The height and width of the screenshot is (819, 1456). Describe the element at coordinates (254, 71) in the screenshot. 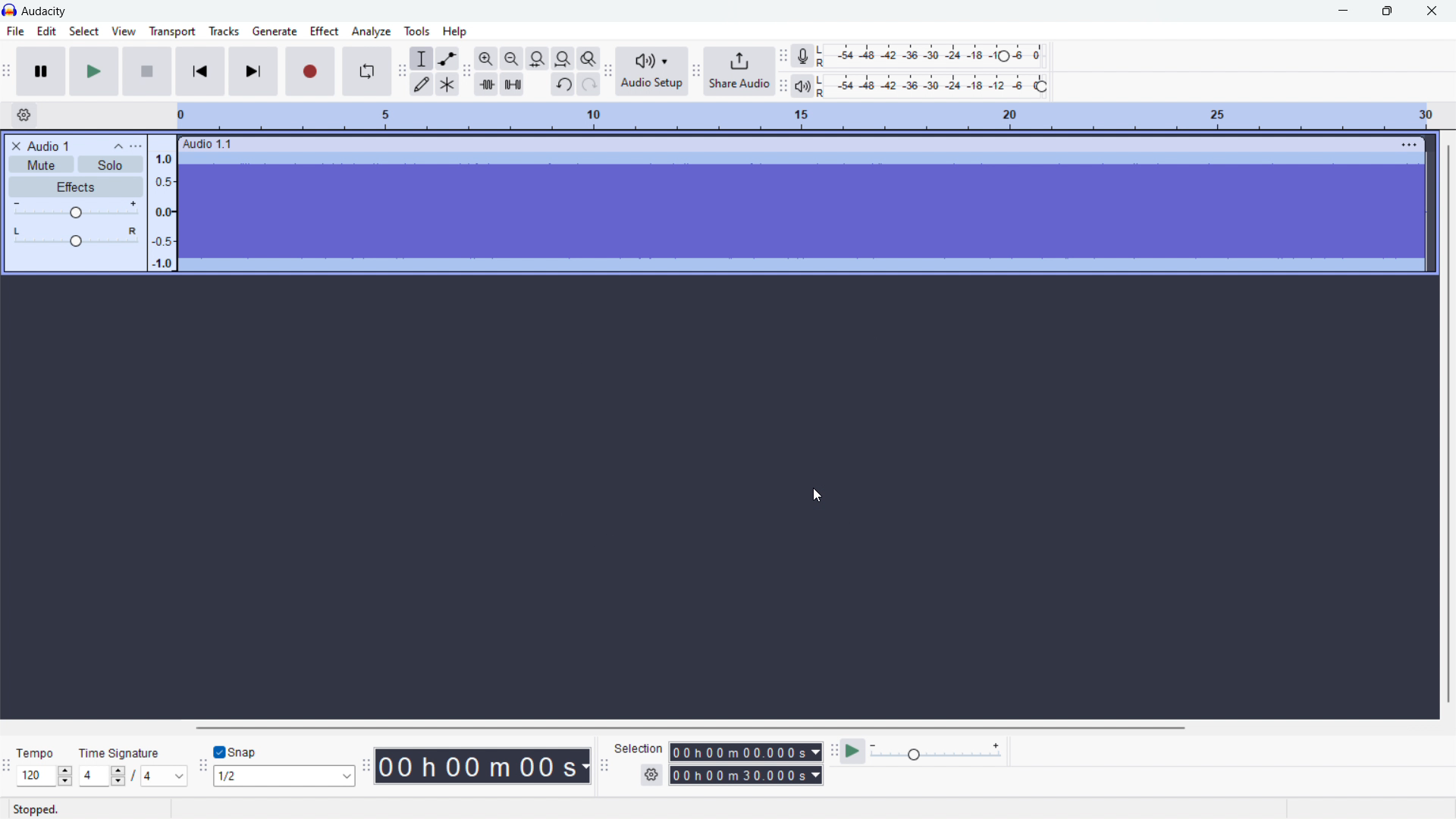

I see `skip to last` at that location.